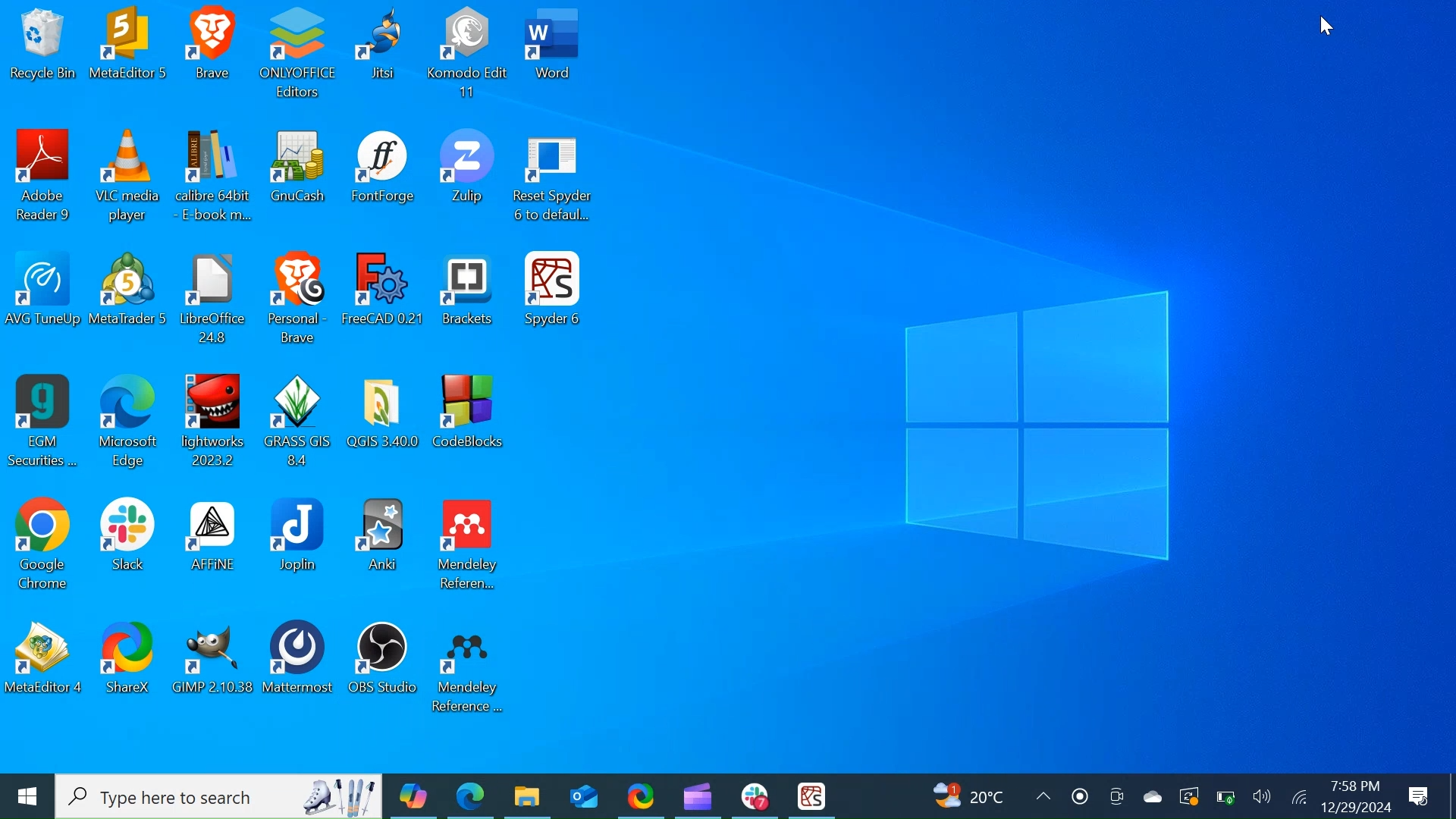  What do you see at coordinates (1079, 795) in the screenshot?
I see `Recording` at bounding box center [1079, 795].